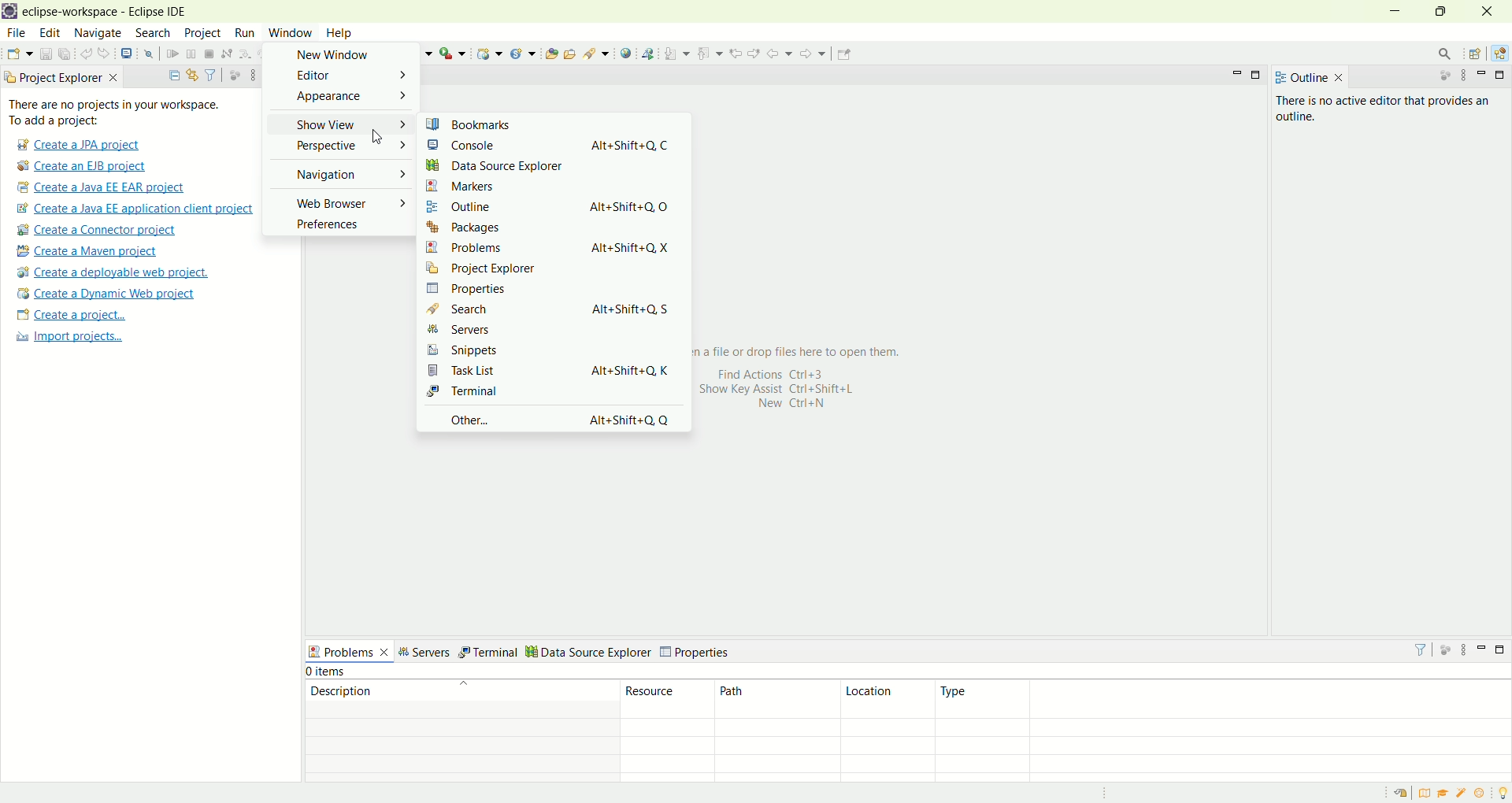 Image resolution: width=1512 pixels, height=803 pixels. I want to click on open a terminal, so click(126, 54).